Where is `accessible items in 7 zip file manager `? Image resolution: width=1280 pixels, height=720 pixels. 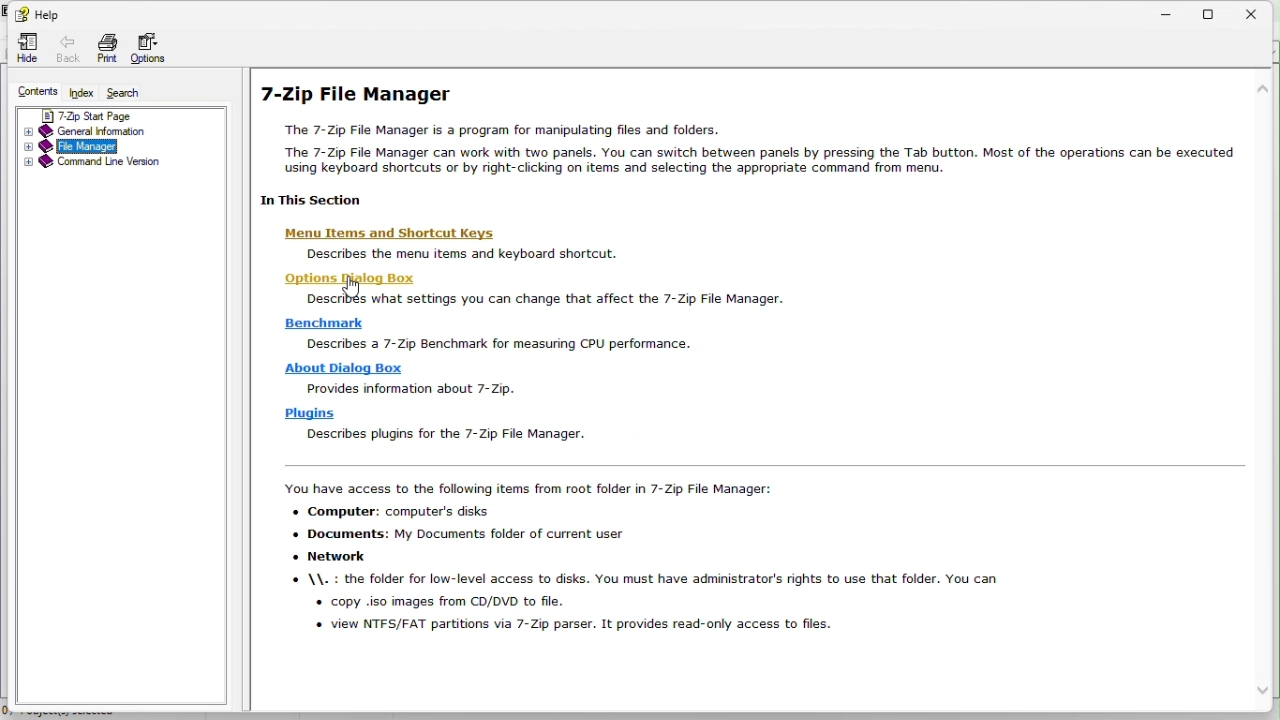
accessible items in 7 zip file manager  is located at coordinates (674, 561).